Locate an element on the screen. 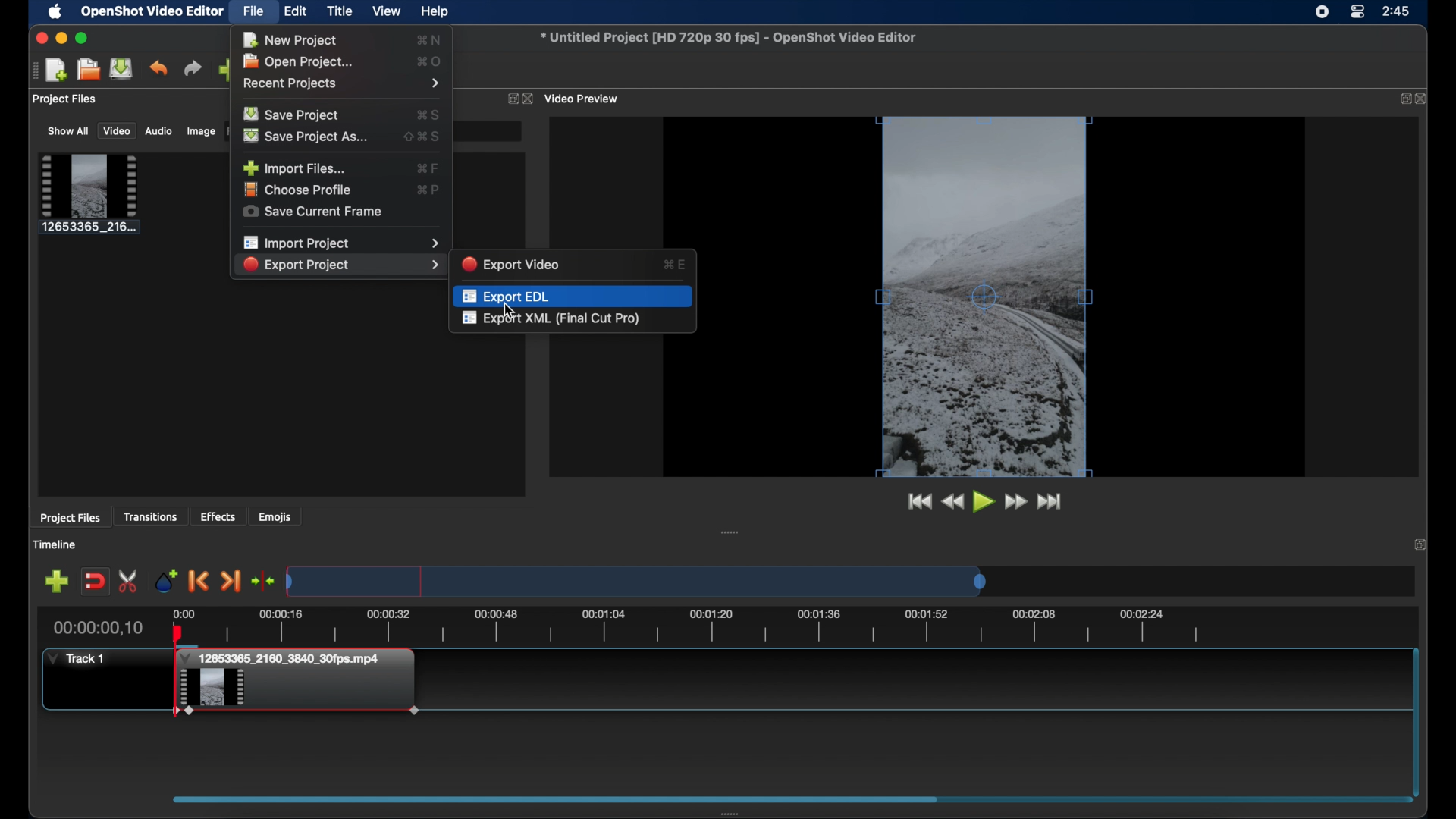  clip is located at coordinates (297, 694).